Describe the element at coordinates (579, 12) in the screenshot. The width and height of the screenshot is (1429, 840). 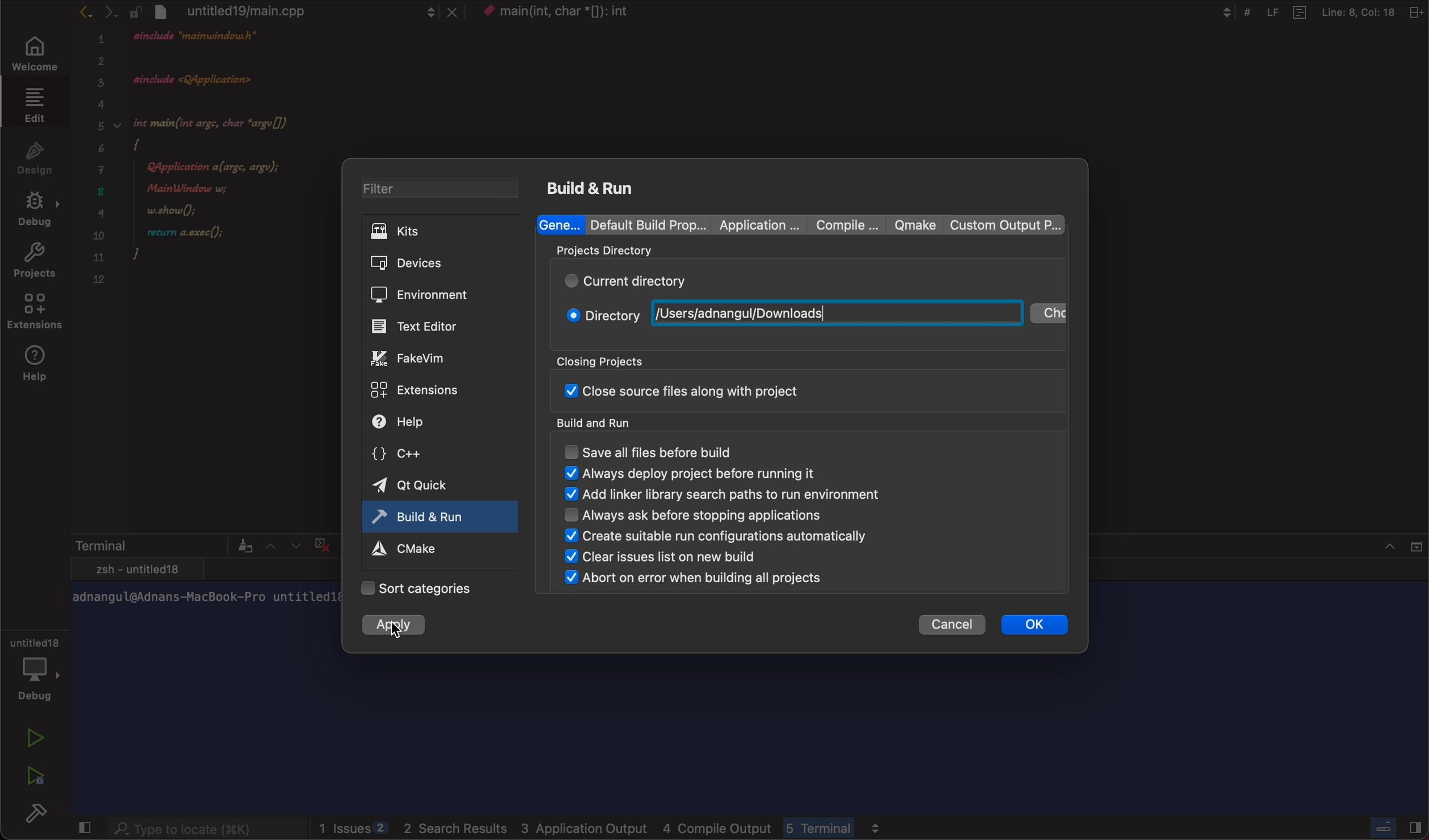
I see `context` at that location.